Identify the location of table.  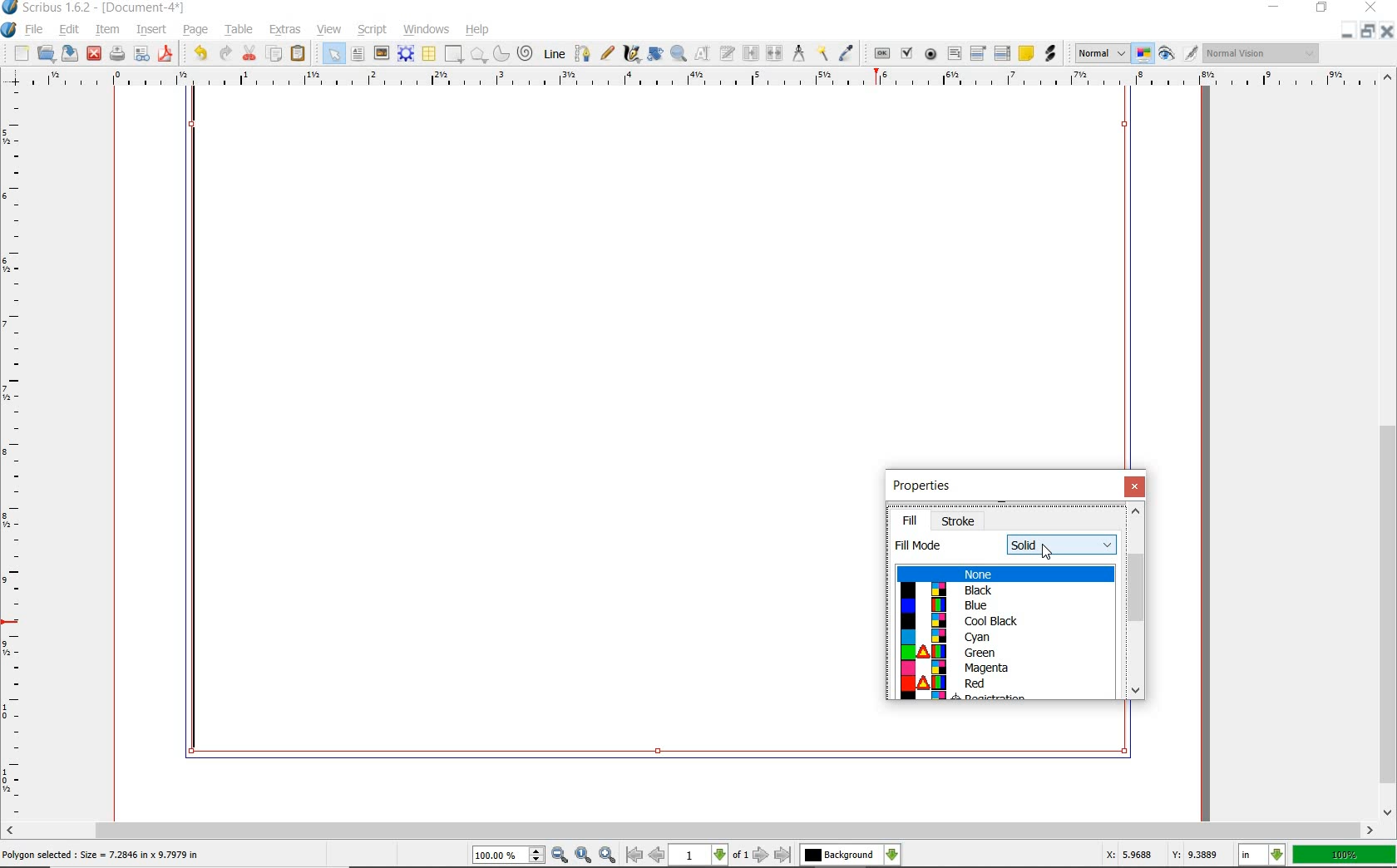
(429, 54).